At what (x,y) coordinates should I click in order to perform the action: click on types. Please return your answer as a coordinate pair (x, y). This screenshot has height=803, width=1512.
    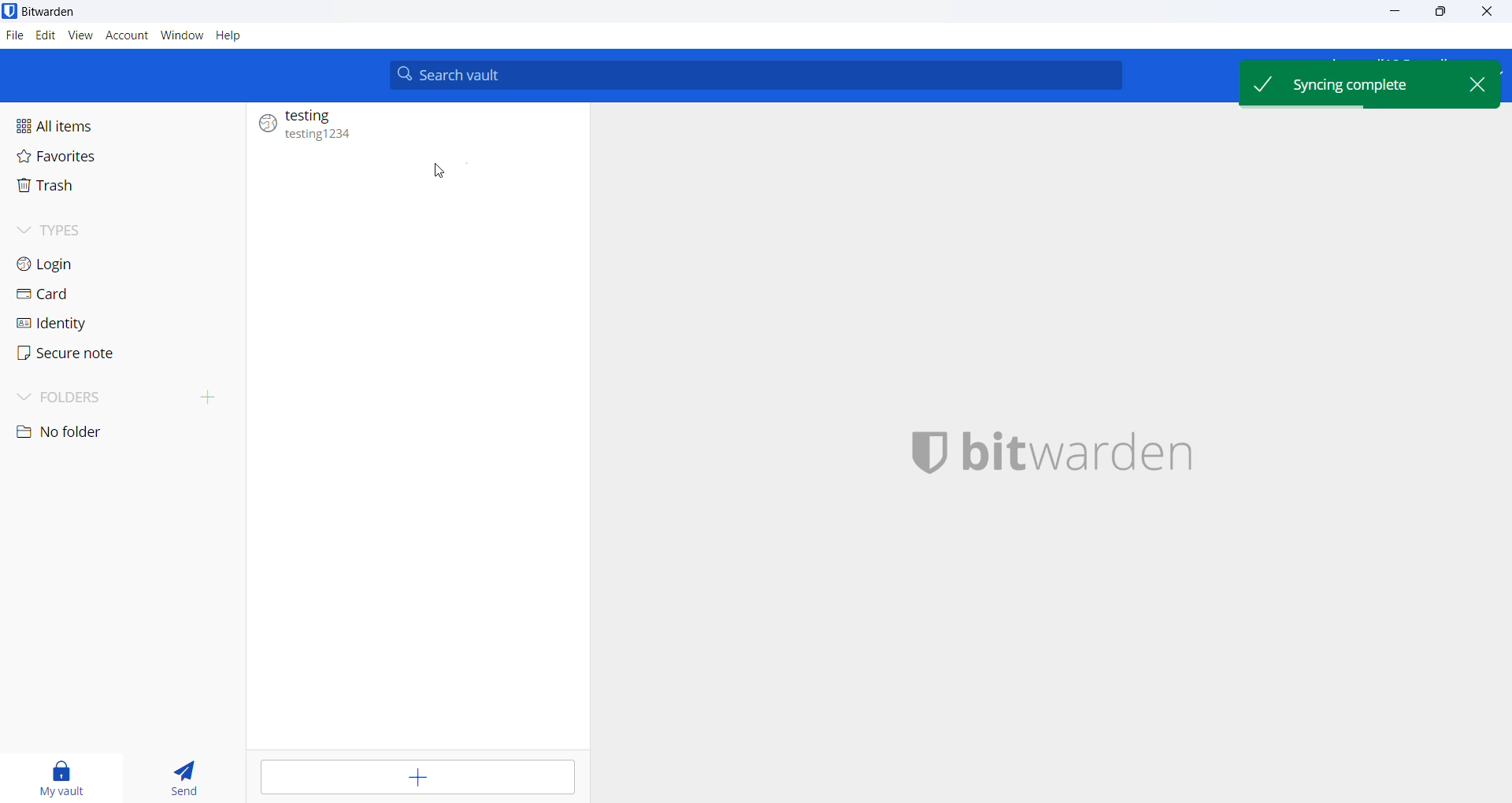
    Looking at the image, I should click on (103, 229).